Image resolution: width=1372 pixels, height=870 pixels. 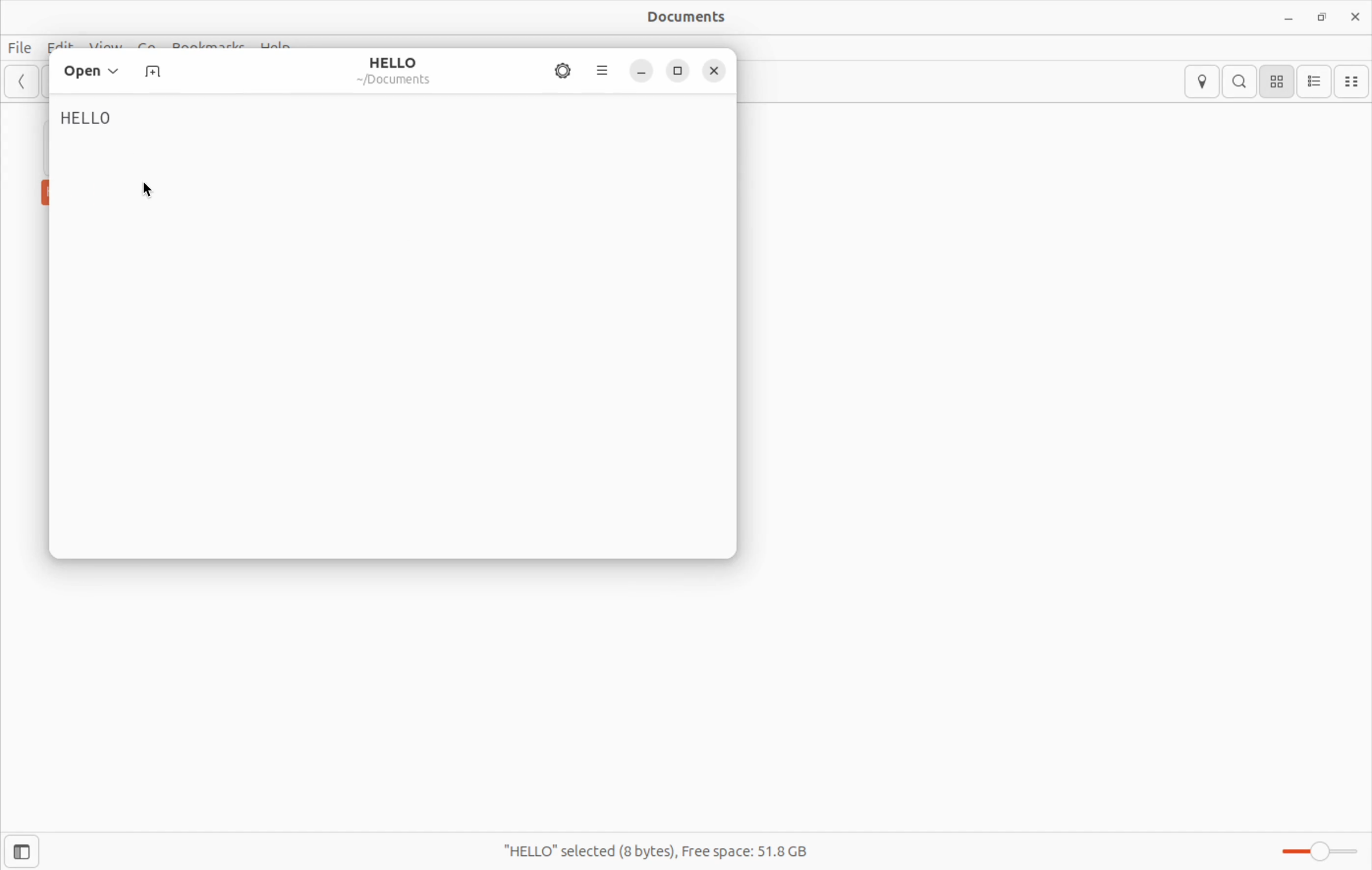 What do you see at coordinates (26, 43) in the screenshot?
I see `File` at bounding box center [26, 43].